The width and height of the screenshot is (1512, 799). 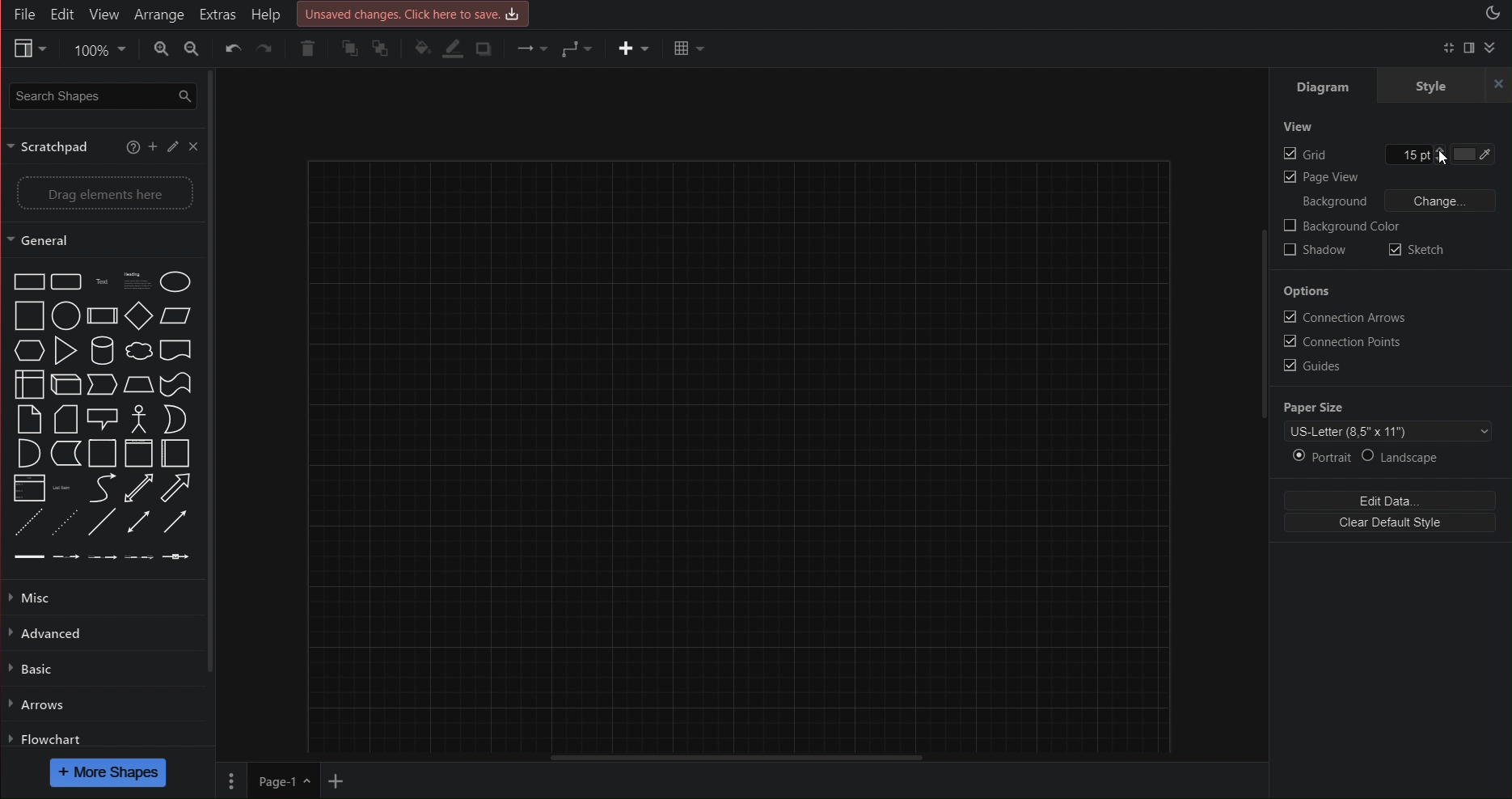 What do you see at coordinates (1341, 227) in the screenshot?
I see `Background Color` at bounding box center [1341, 227].